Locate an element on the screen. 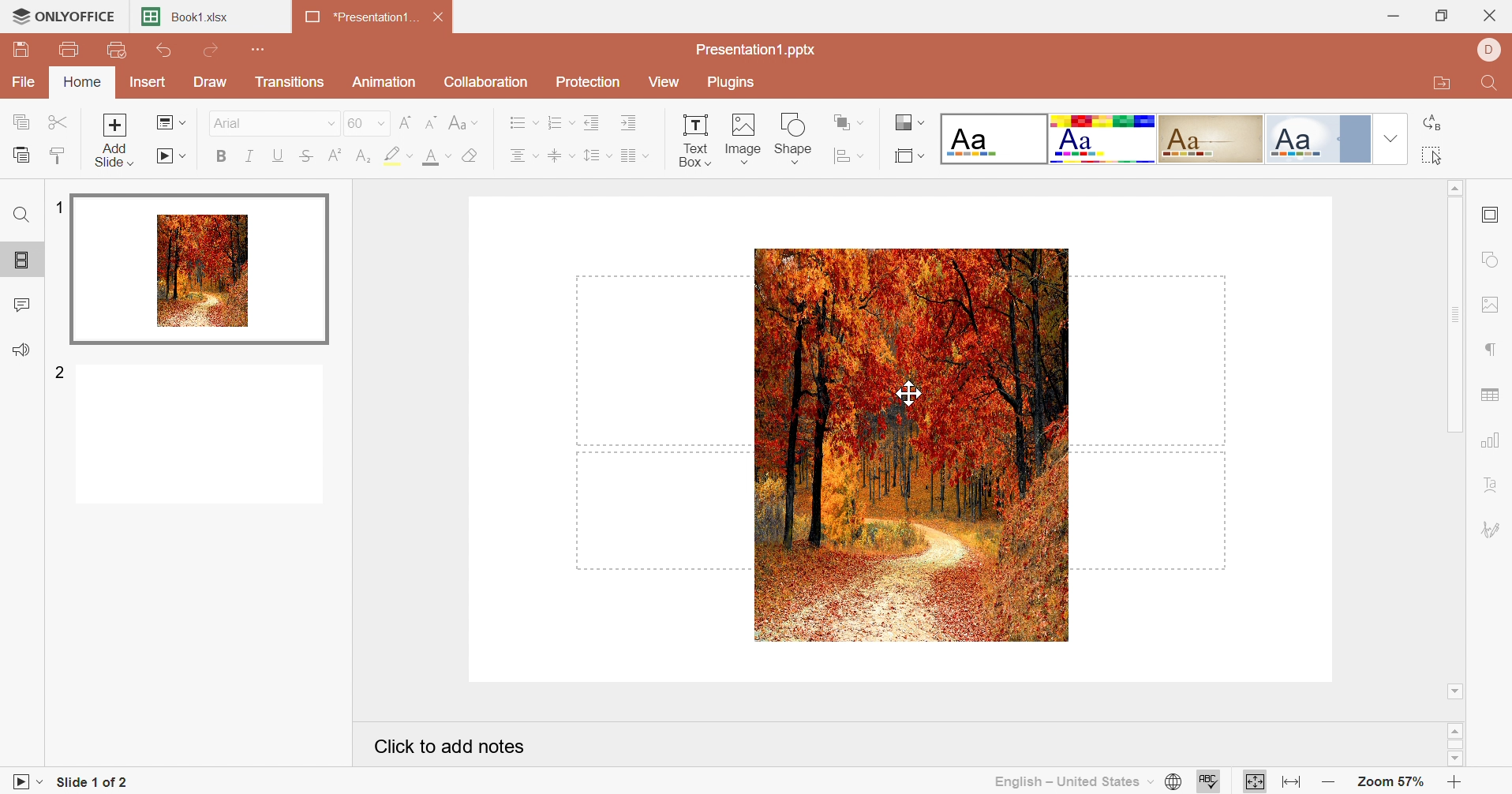  Slide 1 of 2 is located at coordinates (98, 783).